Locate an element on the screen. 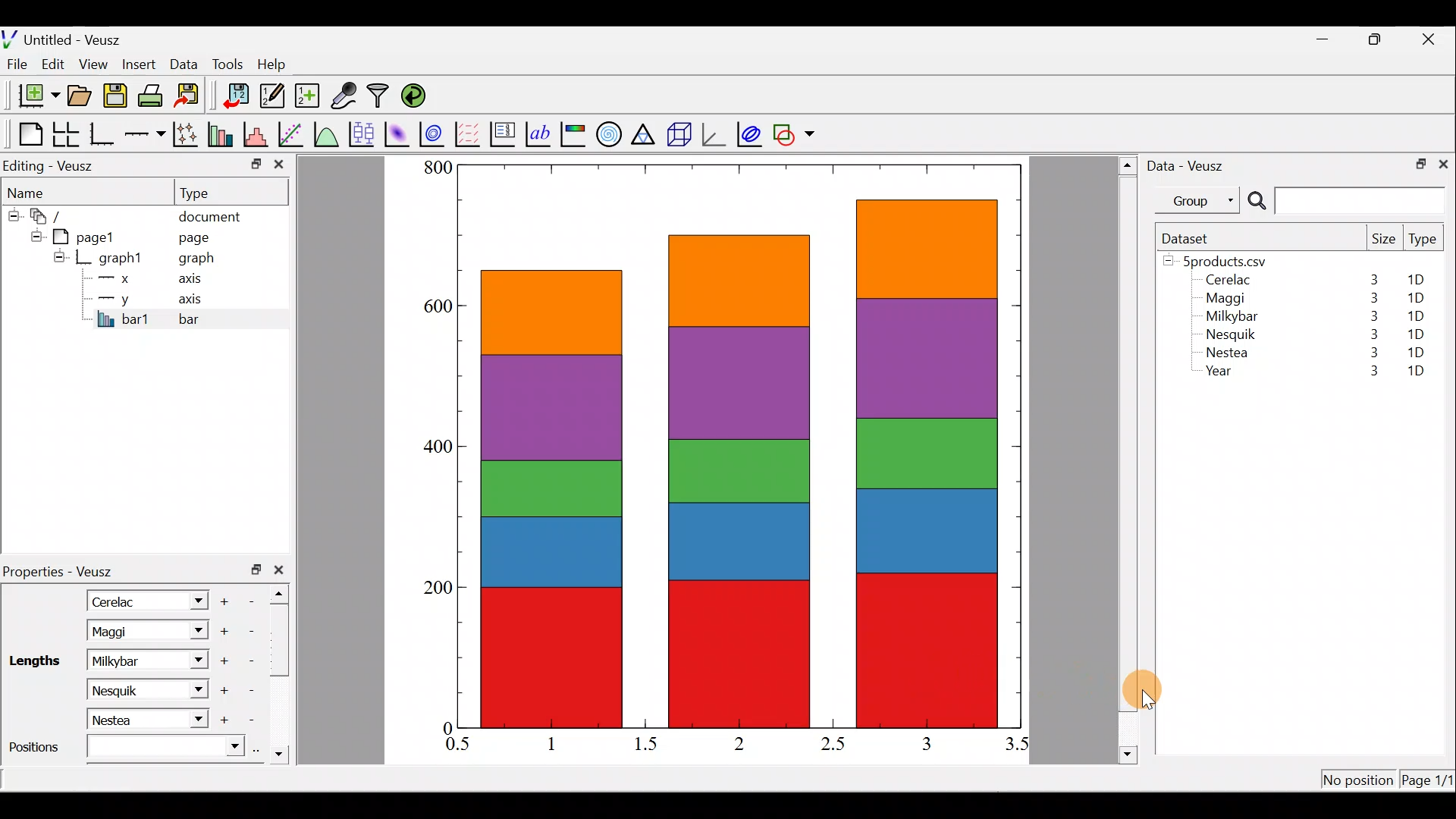 This screenshot has height=819, width=1456. 3.5 is located at coordinates (1018, 747).